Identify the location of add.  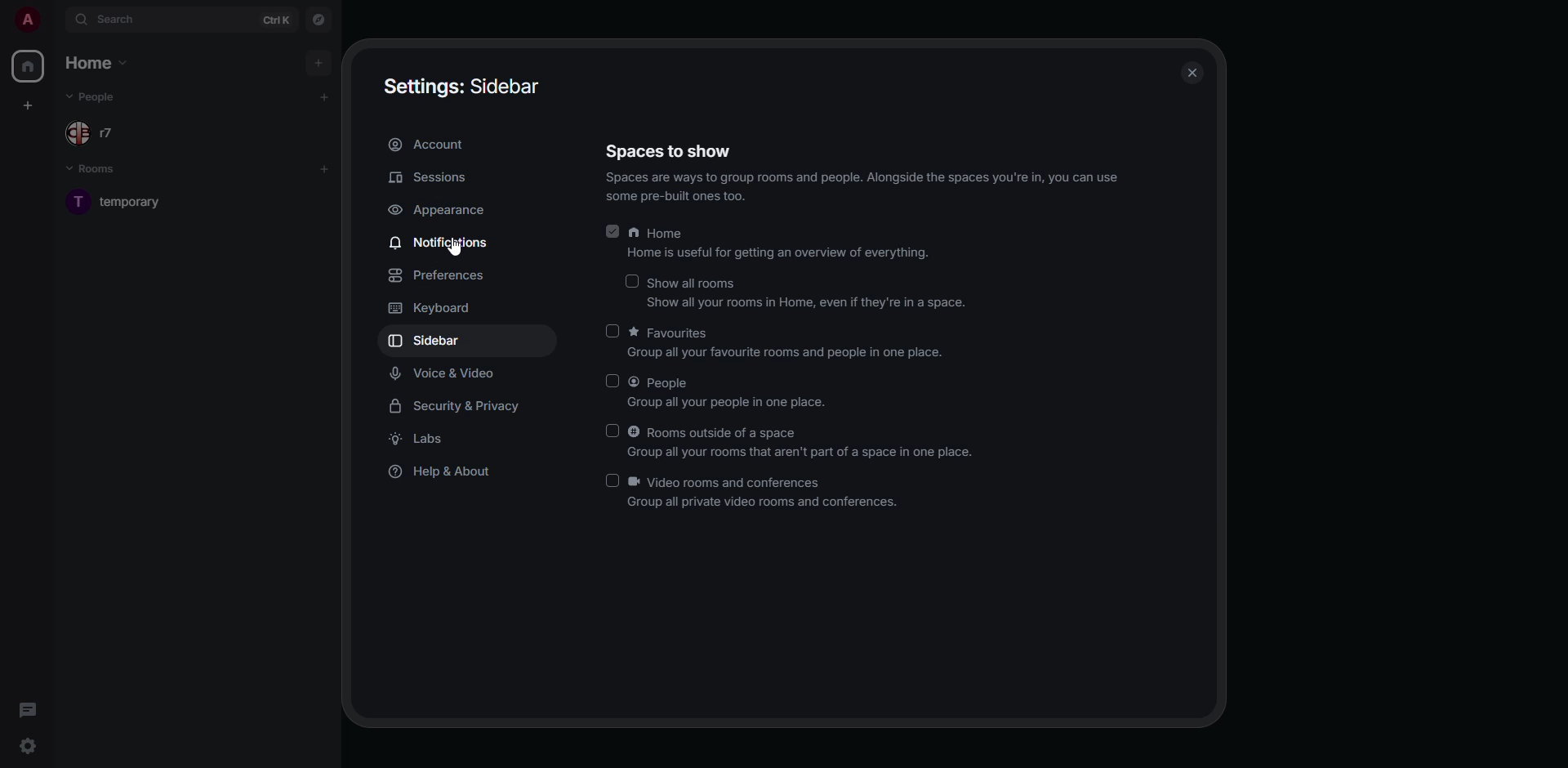
(326, 96).